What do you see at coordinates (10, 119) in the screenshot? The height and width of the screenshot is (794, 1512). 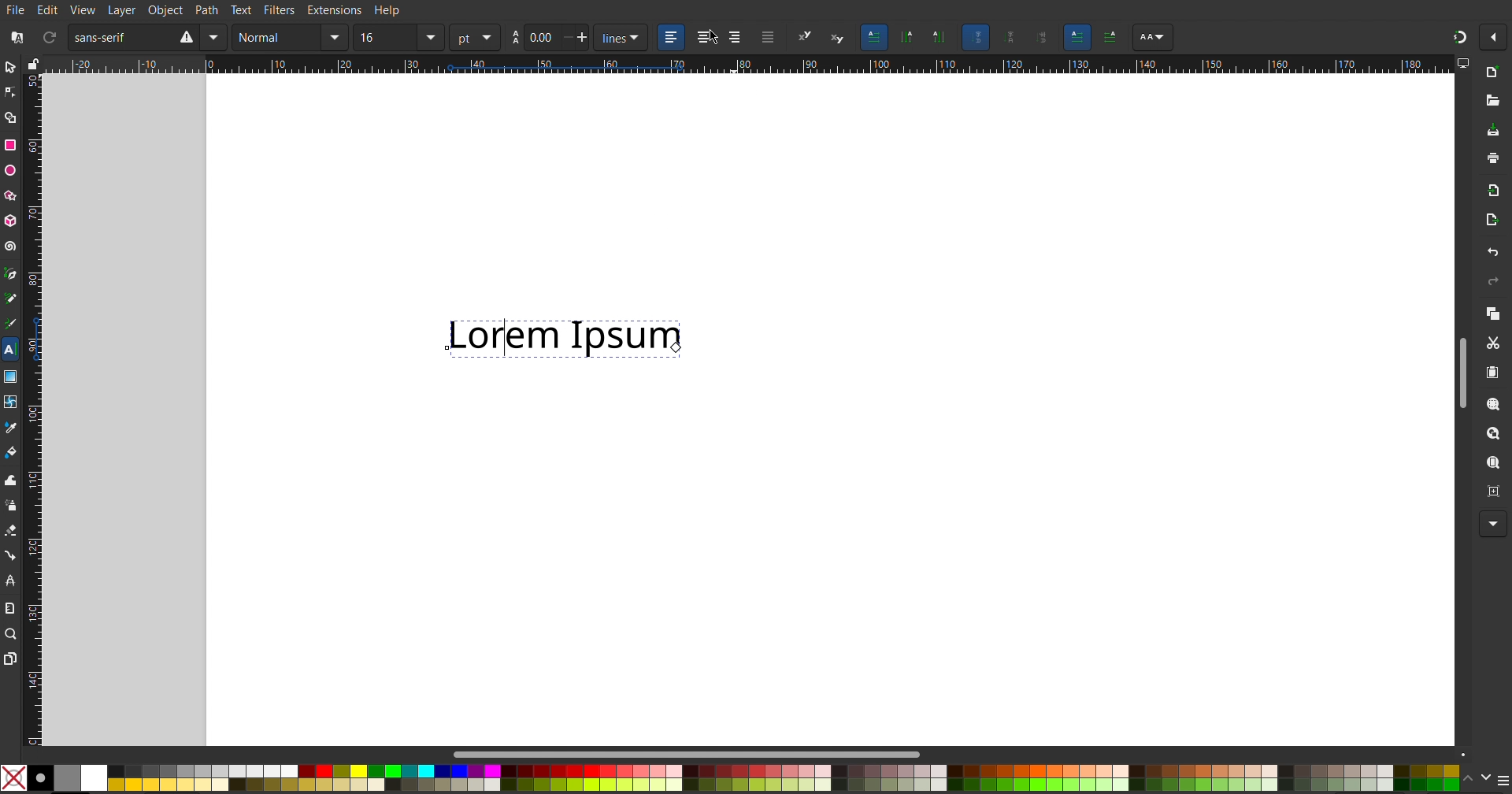 I see `Shape Builder Tool` at bounding box center [10, 119].